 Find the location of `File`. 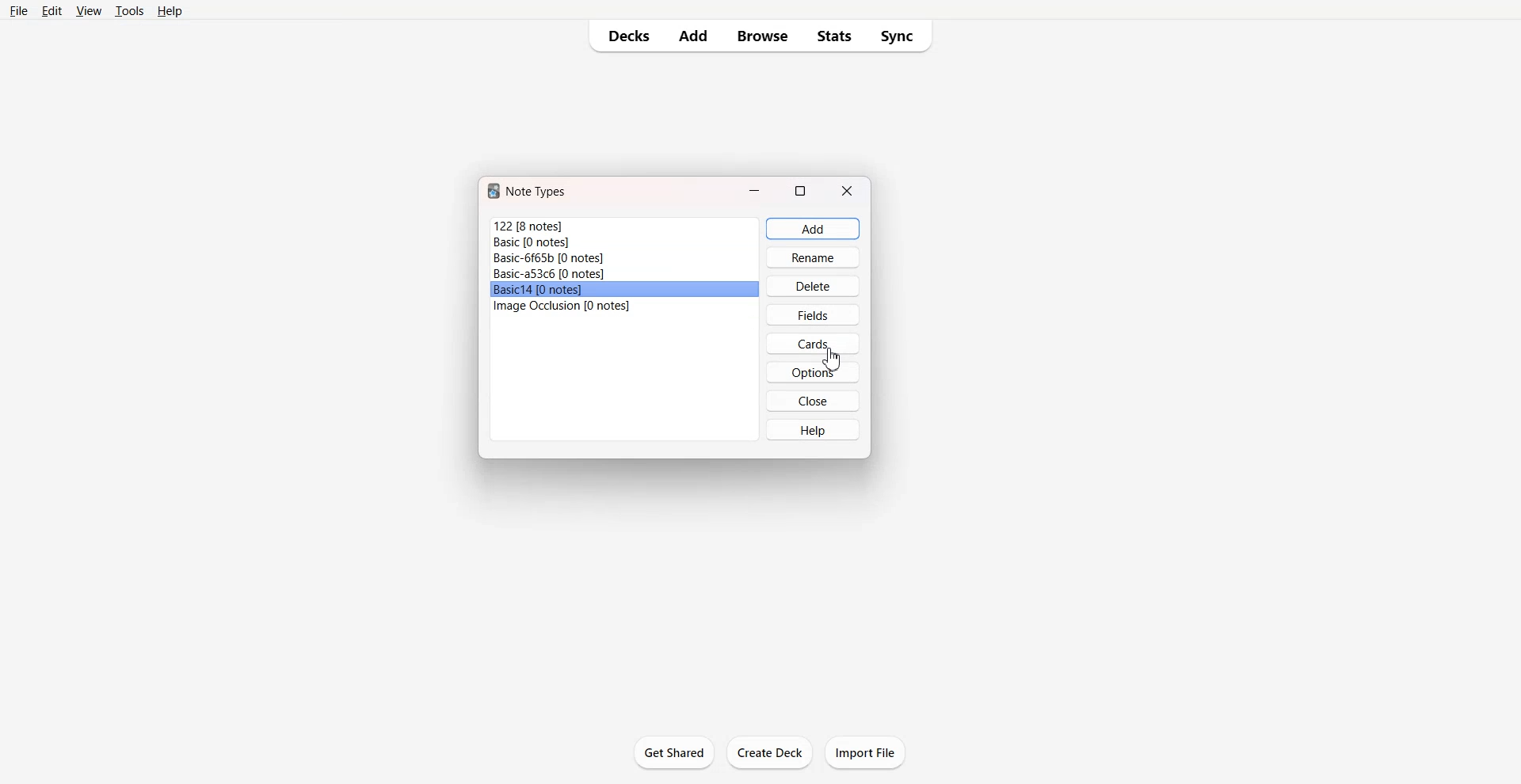

File is located at coordinates (624, 290).